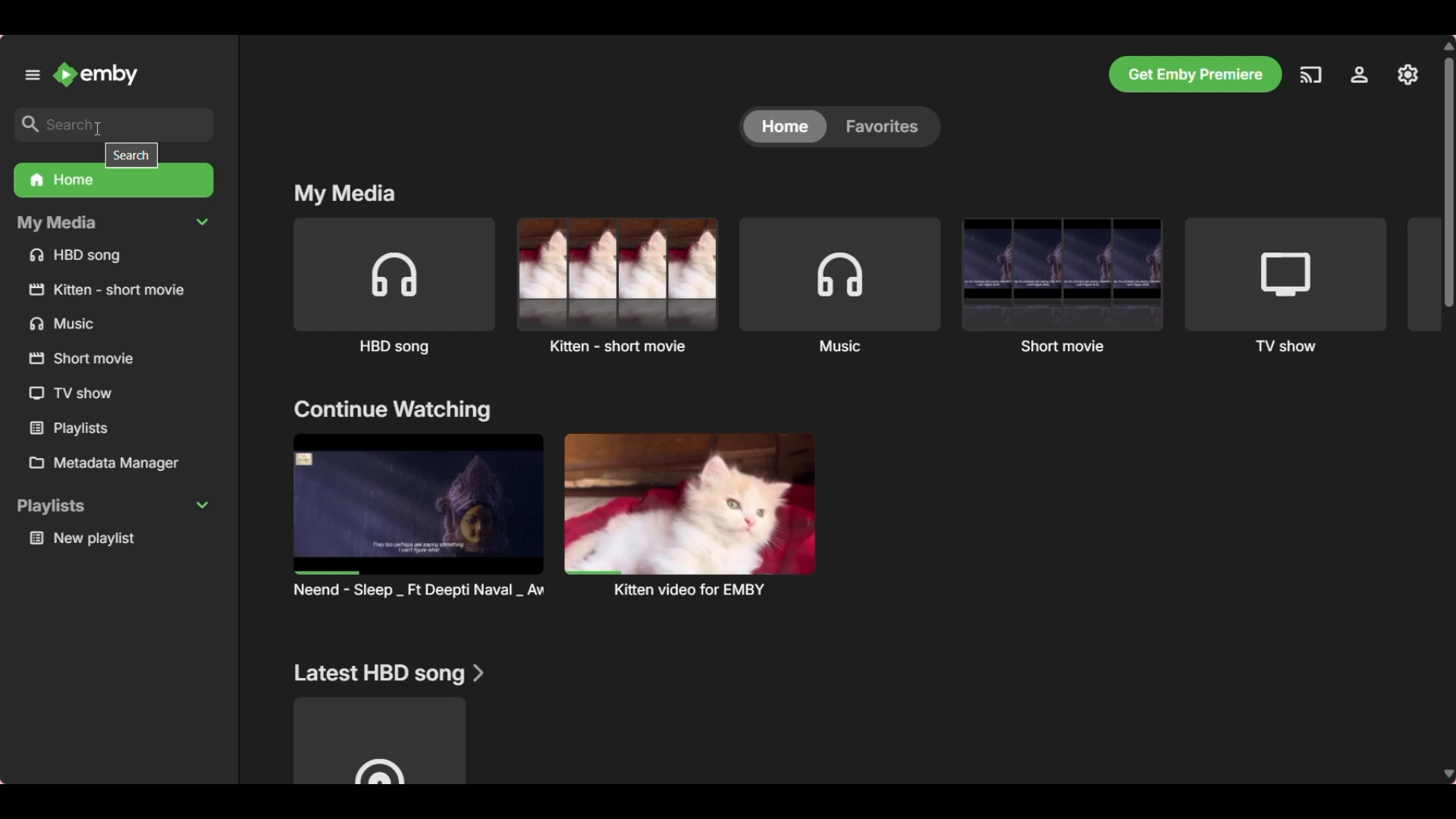 The width and height of the screenshot is (1456, 819). Describe the element at coordinates (119, 463) in the screenshot. I see `Metadata manager` at that location.